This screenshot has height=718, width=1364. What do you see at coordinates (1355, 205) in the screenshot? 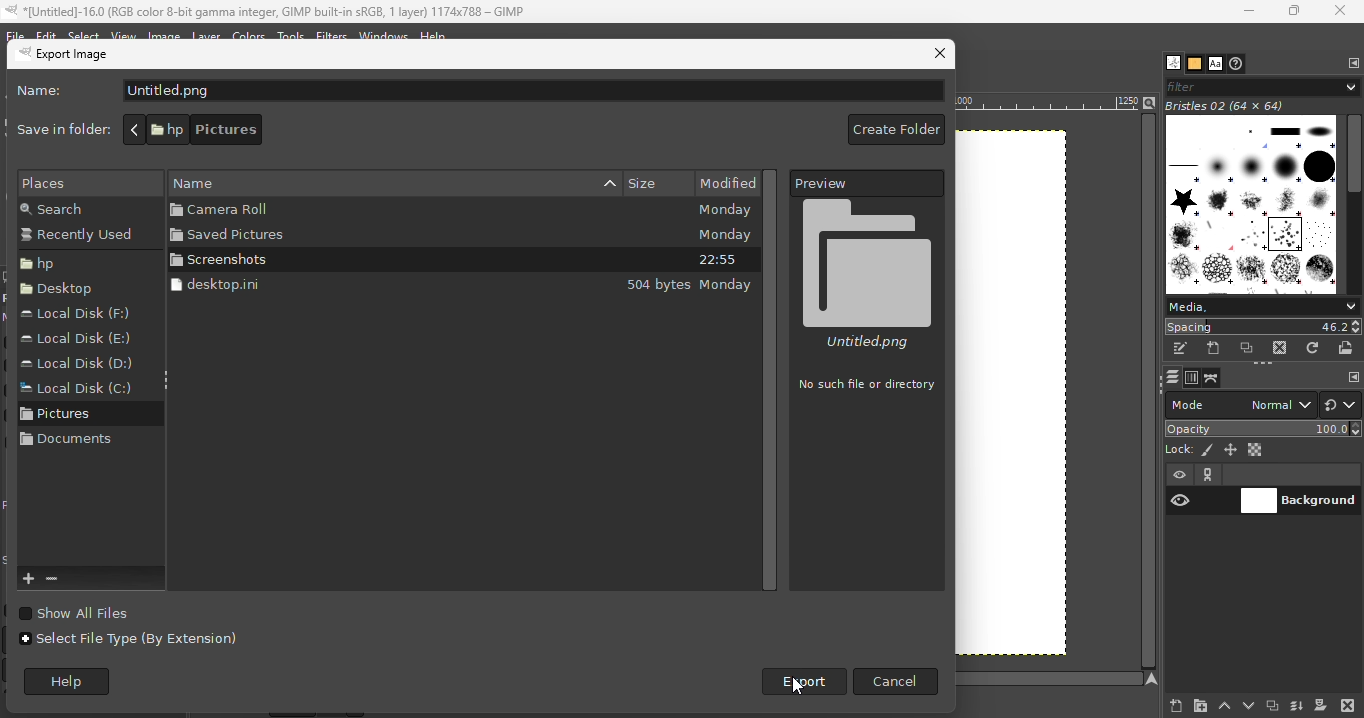
I see `Horizontal scroll bar` at bounding box center [1355, 205].